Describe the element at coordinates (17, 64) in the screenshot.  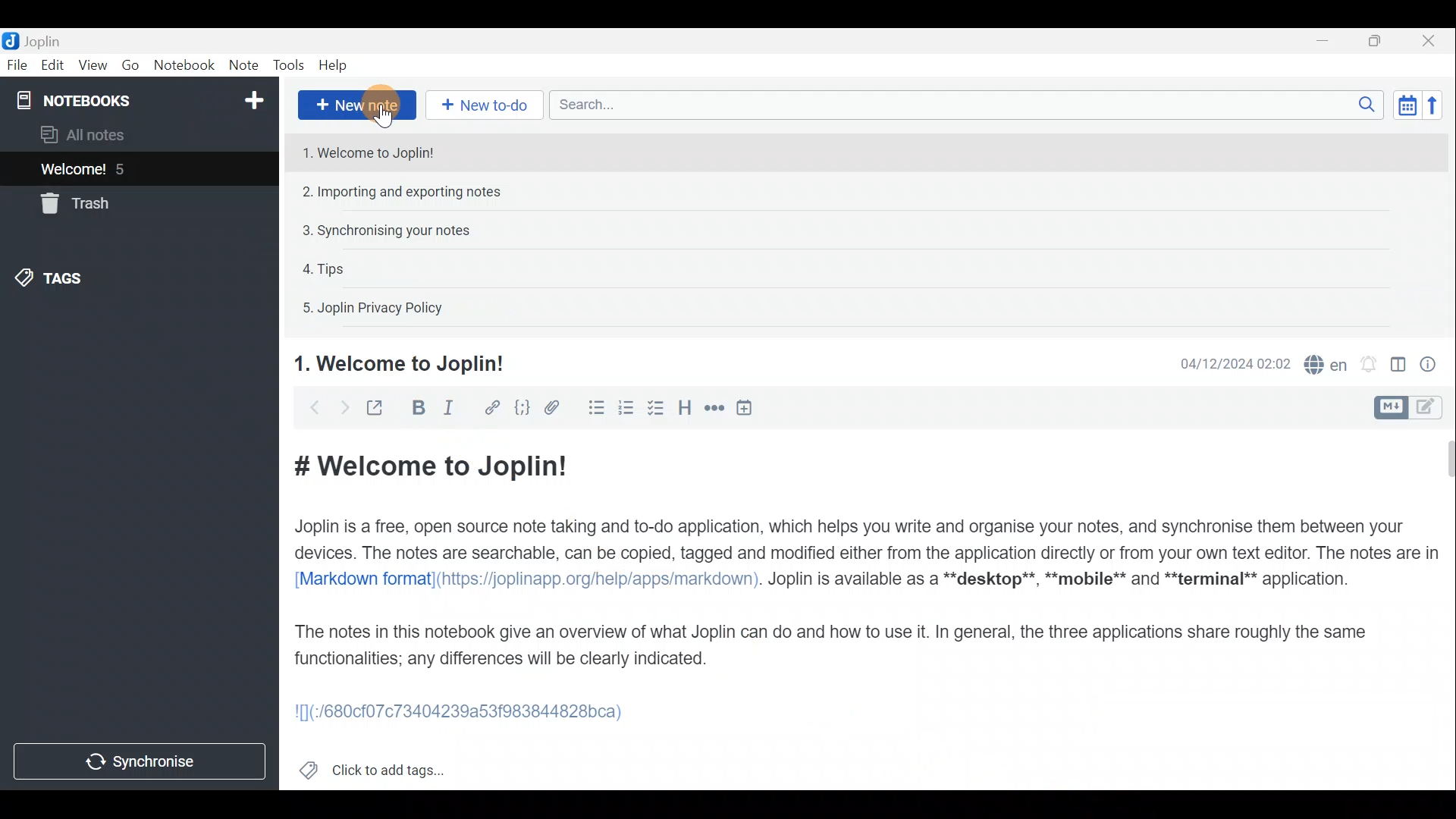
I see `File` at that location.